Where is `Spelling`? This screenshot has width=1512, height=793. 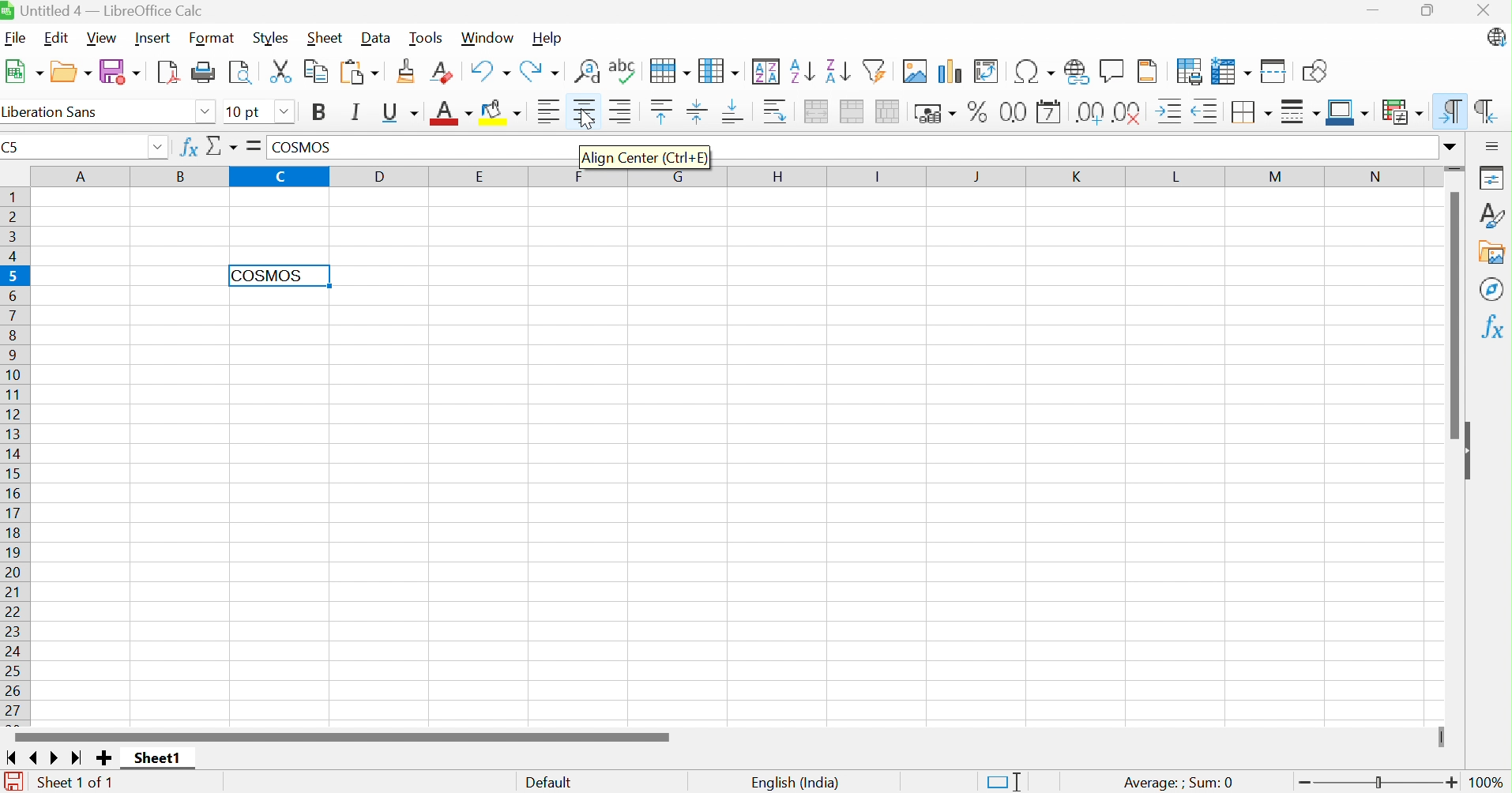 Spelling is located at coordinates (623, 70).